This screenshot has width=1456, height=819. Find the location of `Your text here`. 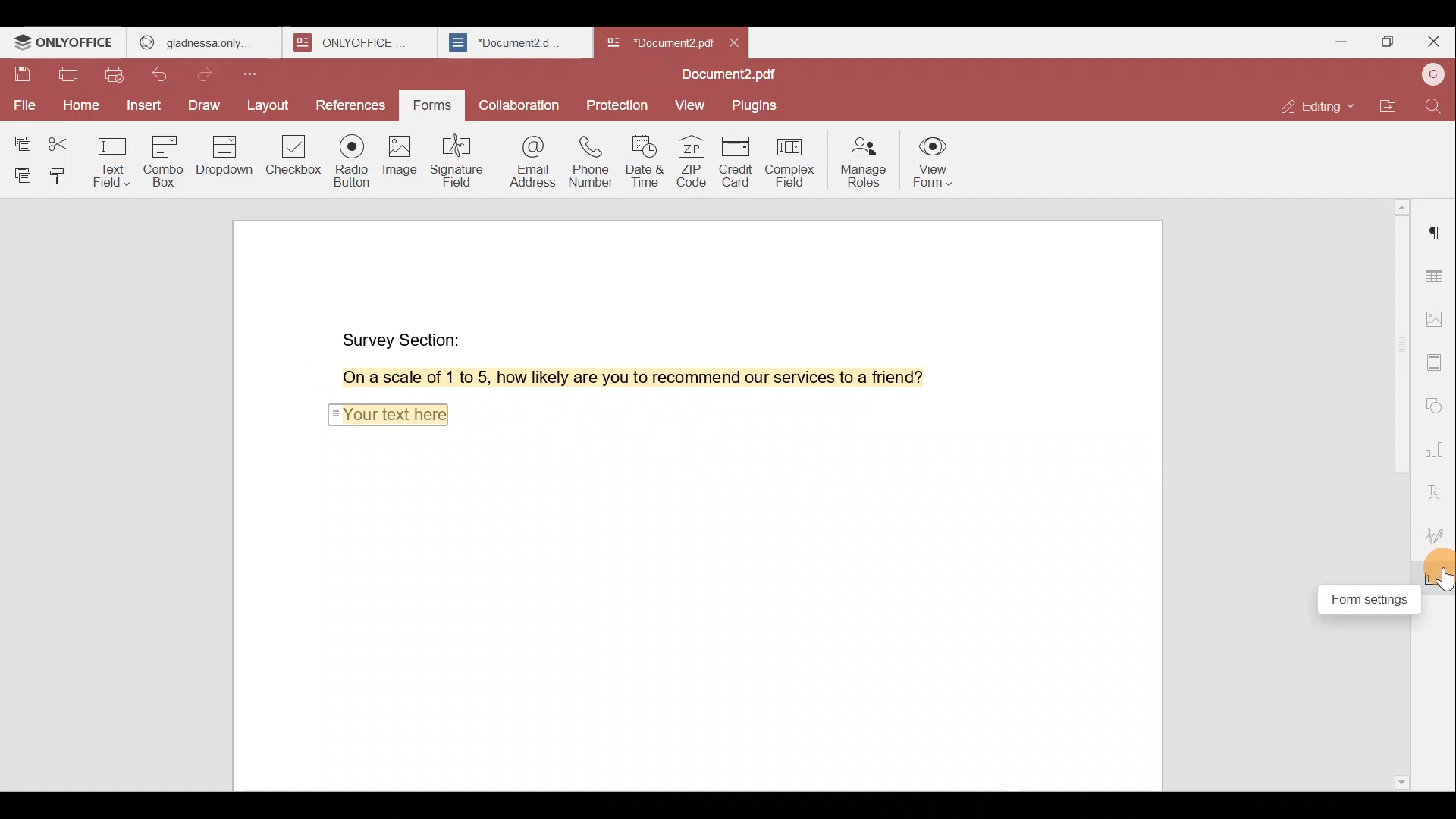

Your text here is located at coordinates (394, 415).